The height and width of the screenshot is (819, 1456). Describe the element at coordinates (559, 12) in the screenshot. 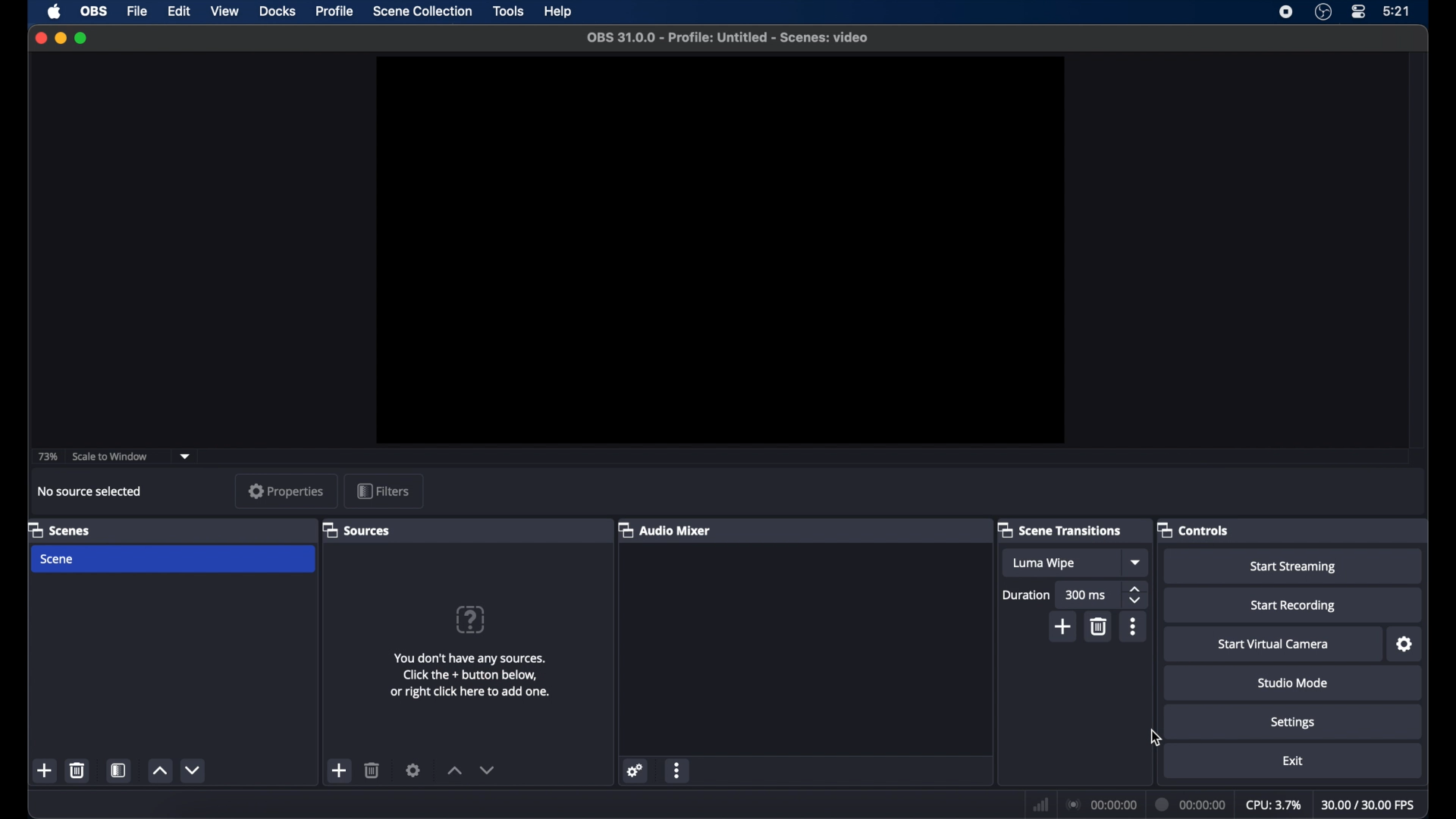

I see `help` at that location.